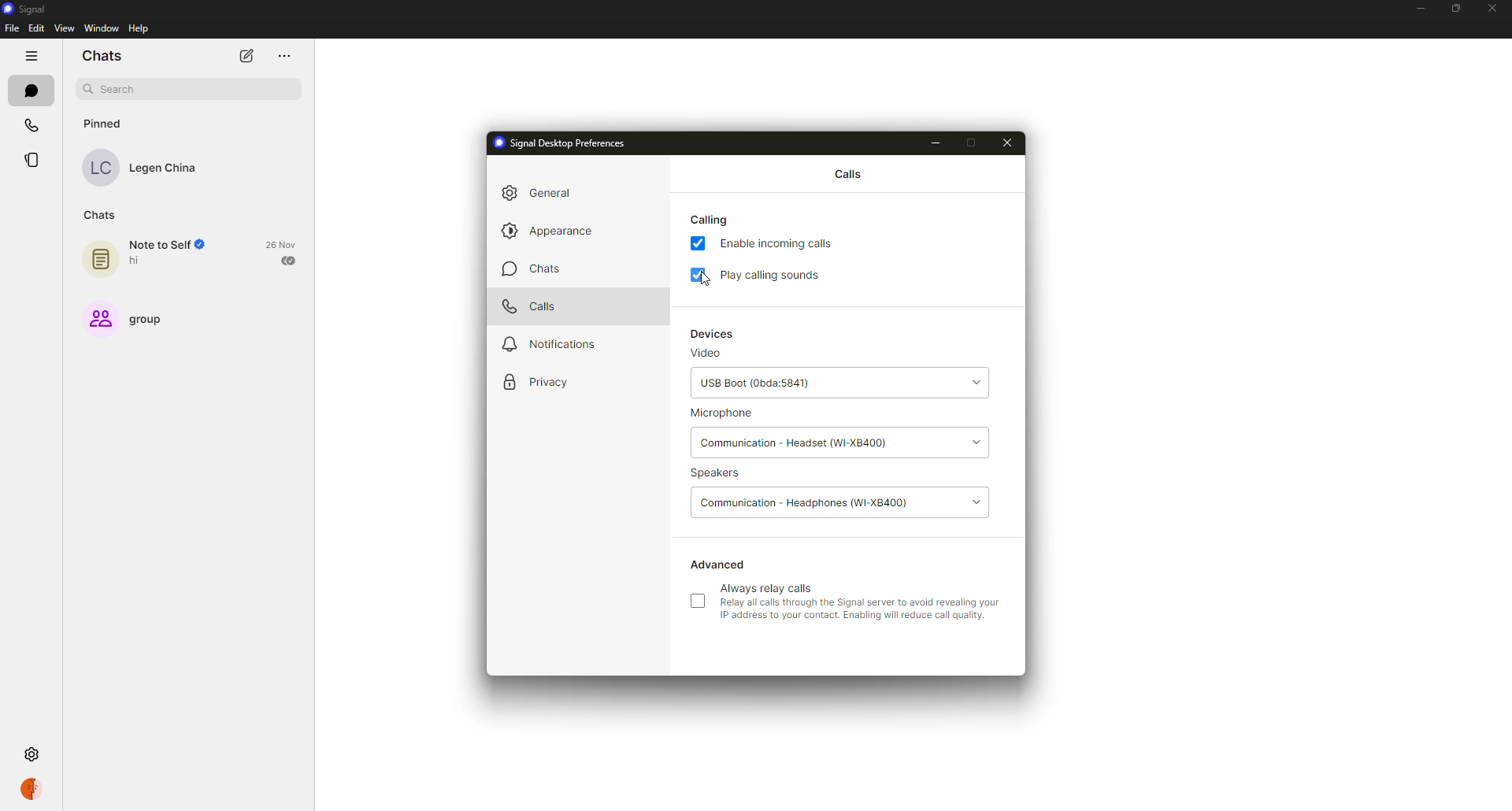 This screenshot has height=811, width=1512. I want to click on calls, so click(529, 306).